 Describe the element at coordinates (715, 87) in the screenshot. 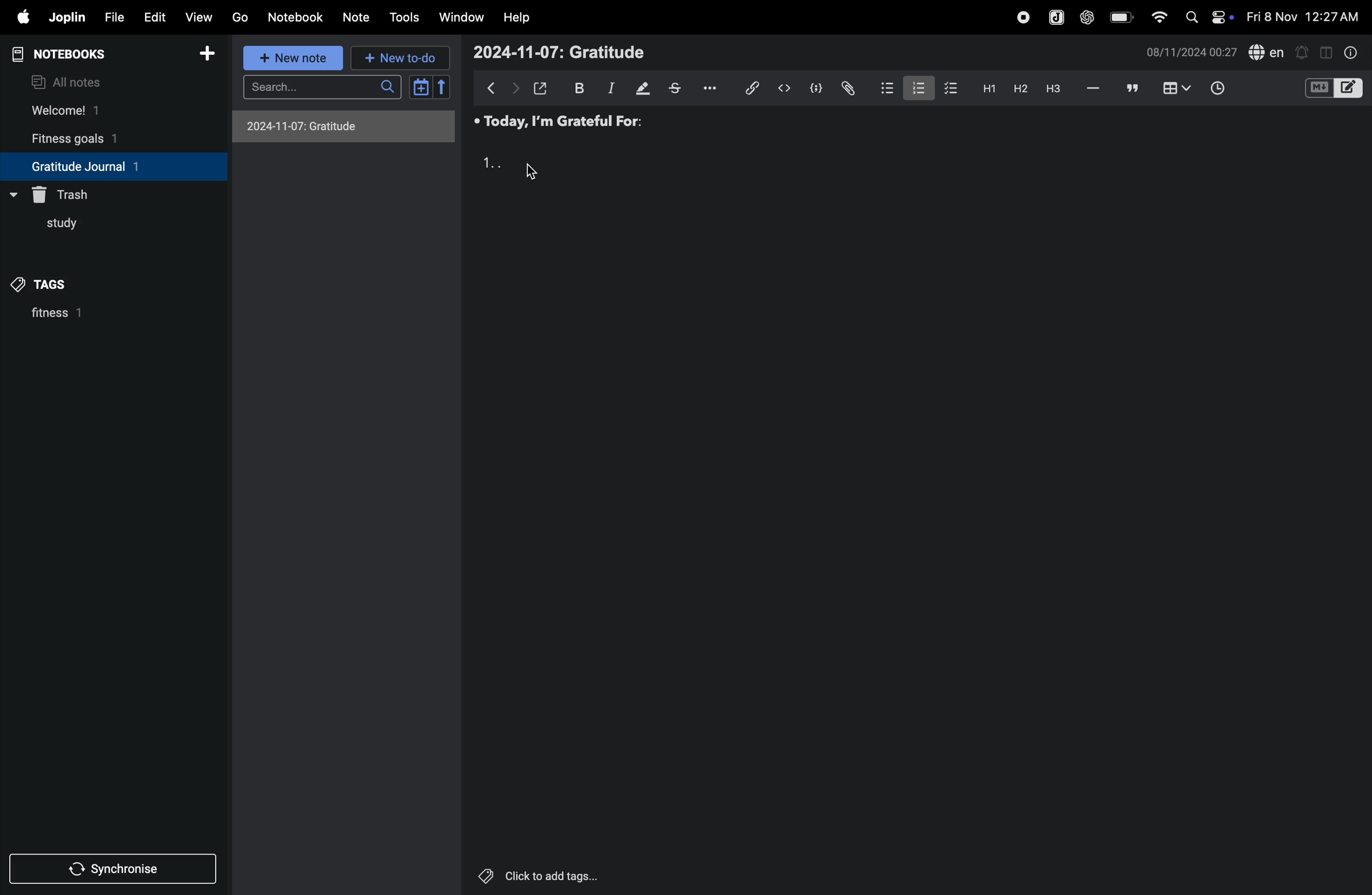

I see `options` at that location.